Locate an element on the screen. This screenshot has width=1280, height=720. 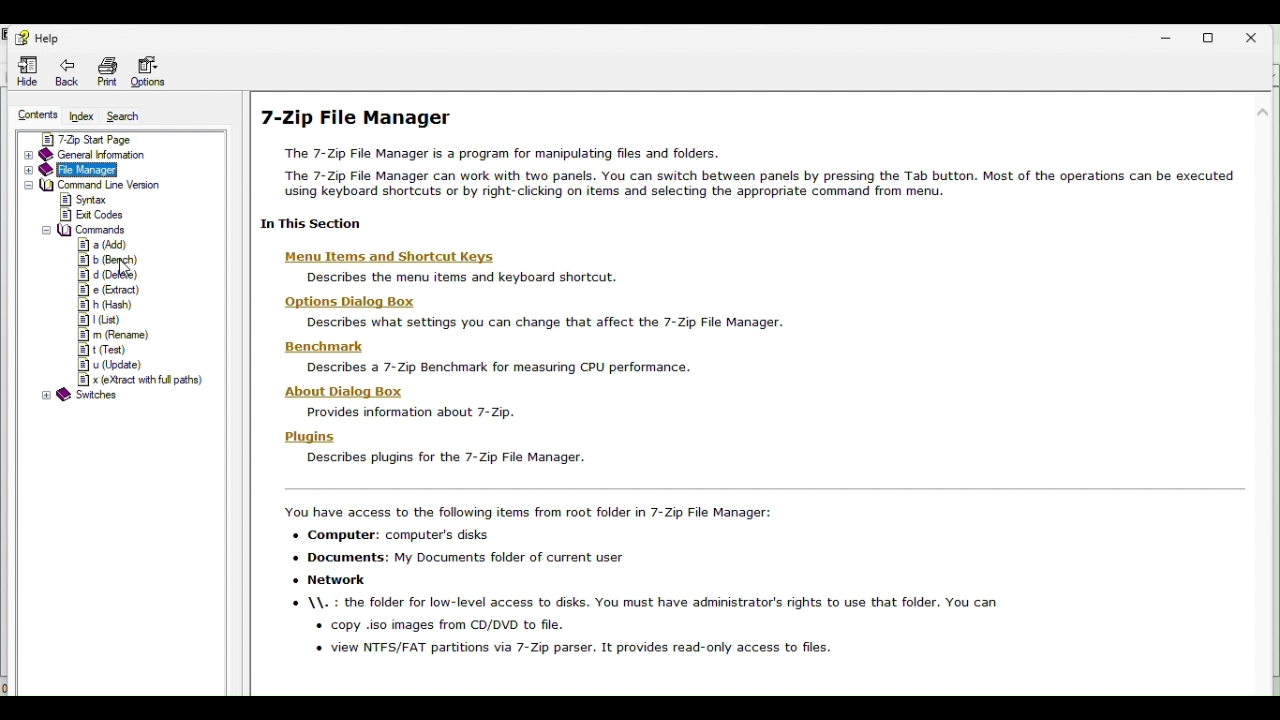
Options Dialog Box is located at coordinates (345, 302).